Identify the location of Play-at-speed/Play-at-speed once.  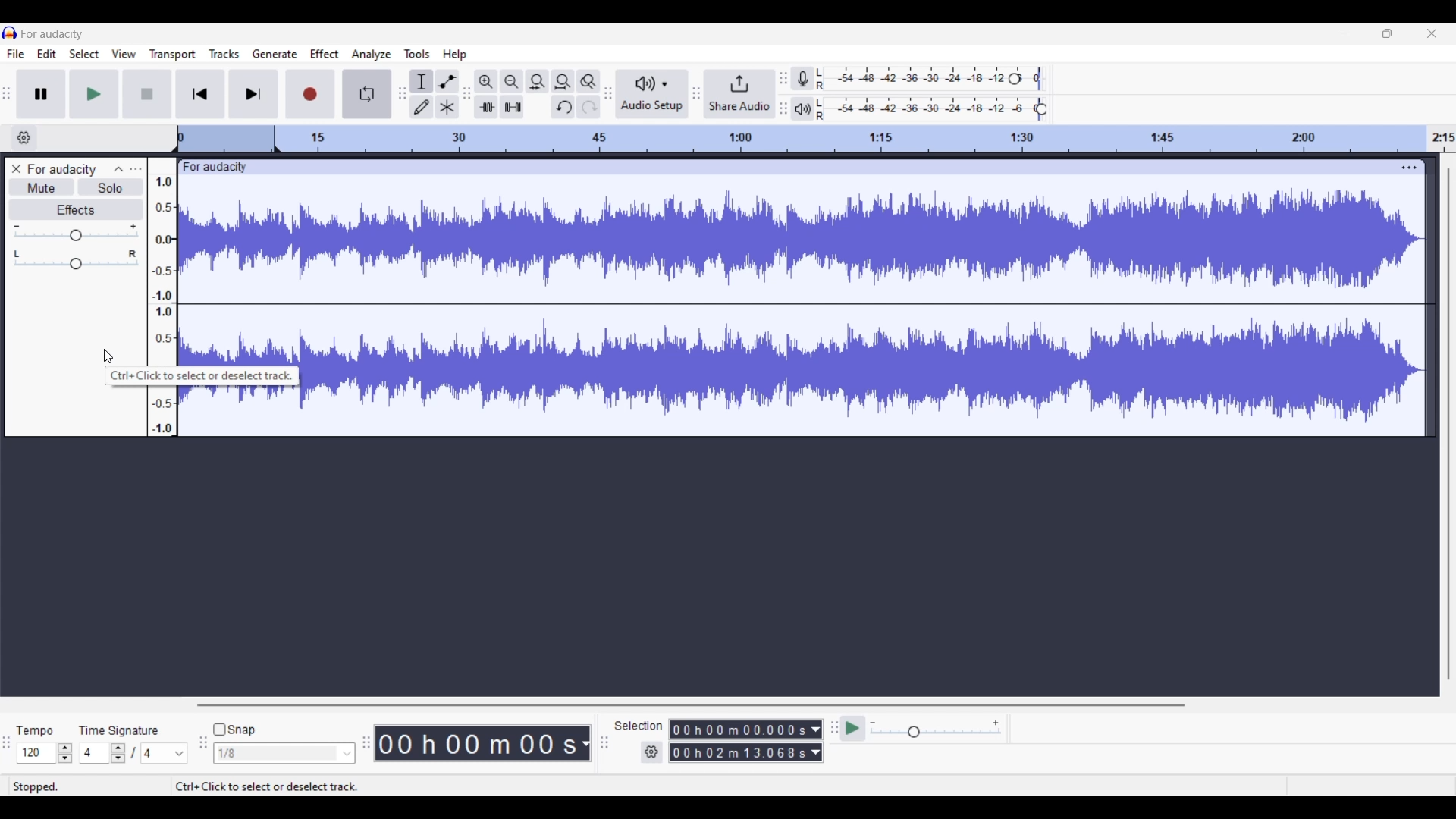
(854, 729).